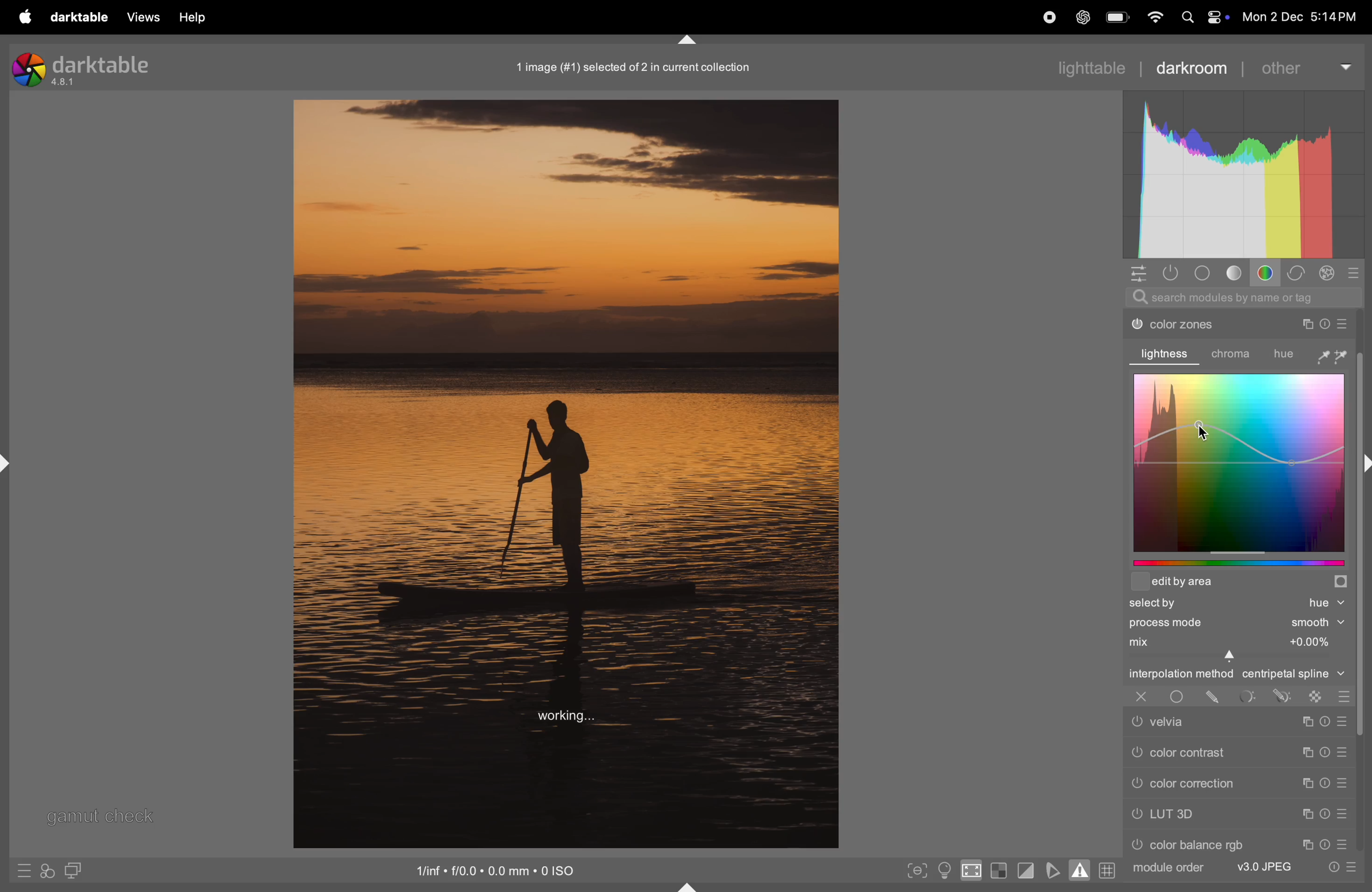 This screenshot has height=892, width=1372. What do you see at coordinates (1235, 354) in the screenshot?
I see `chroma` at bounding box center [1235, 354].